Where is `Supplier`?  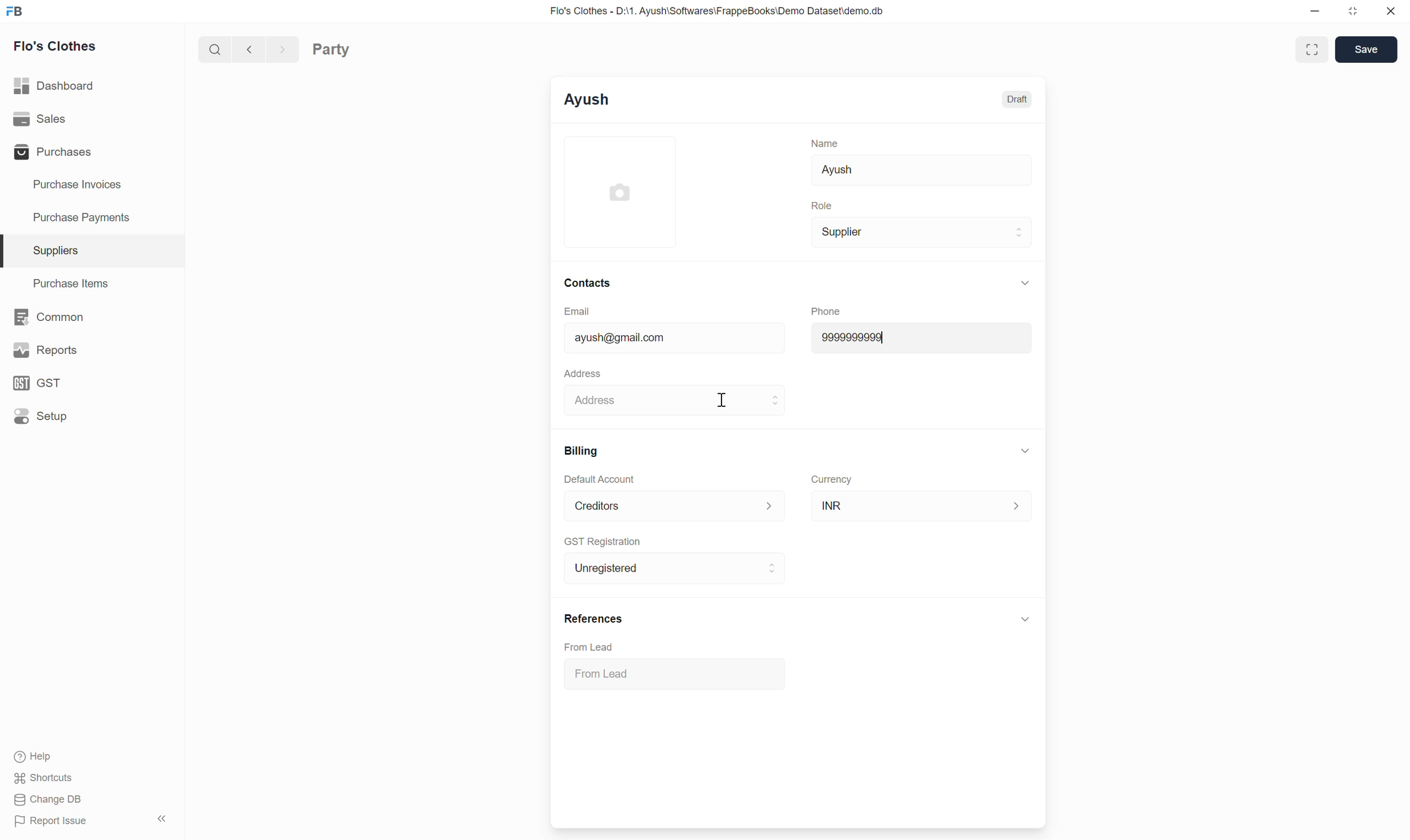
Supplier is located at coordinates (921, 232).